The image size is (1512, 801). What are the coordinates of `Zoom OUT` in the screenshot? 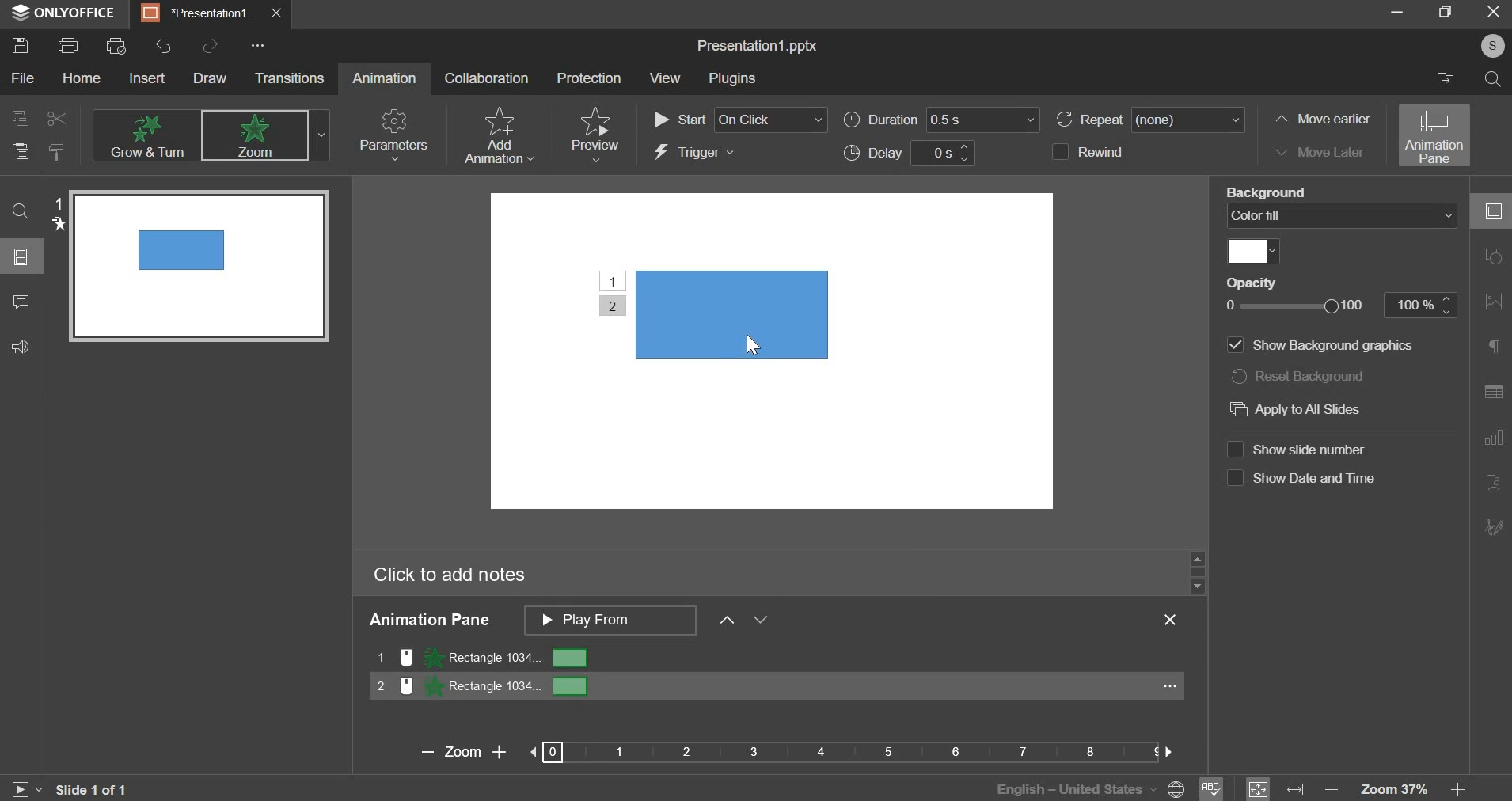 It's located at (426, 754).